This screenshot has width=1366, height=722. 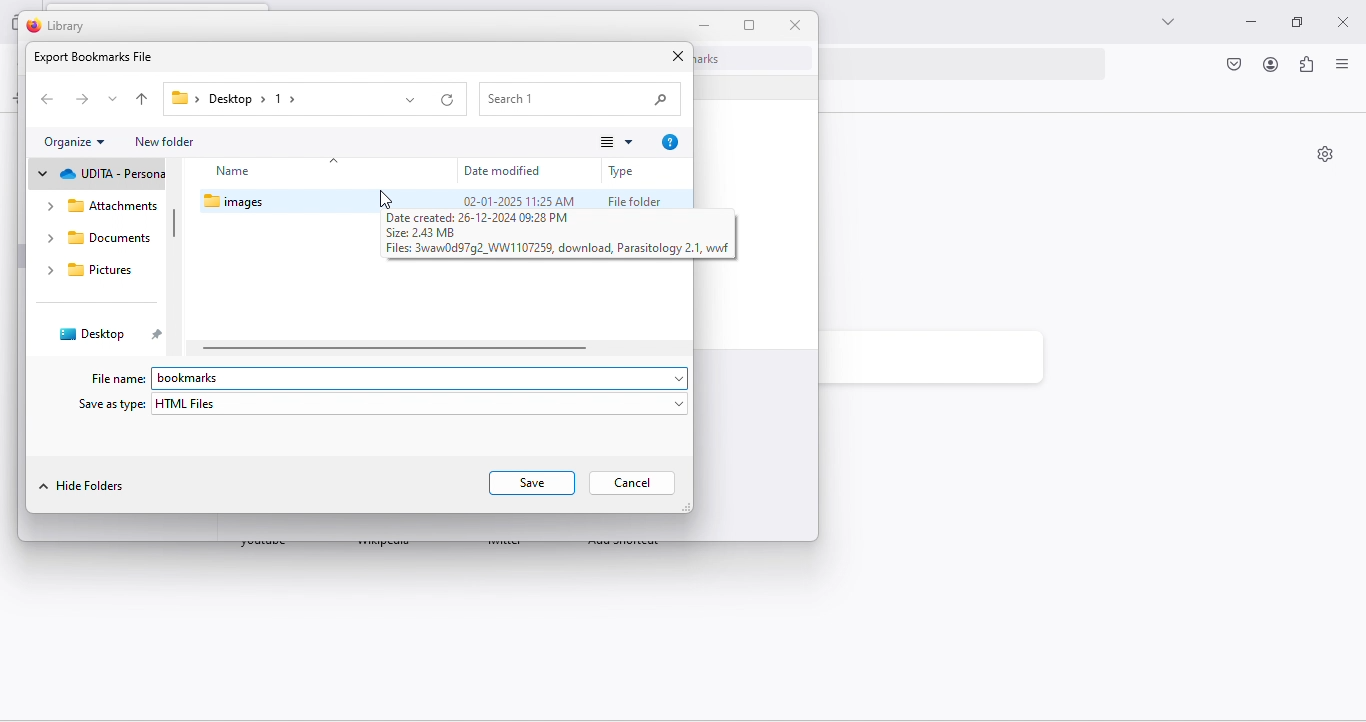 What do you see at coordinates (157, 336) in the screenshot?
I see `pin` at bounding box center [157, 336].